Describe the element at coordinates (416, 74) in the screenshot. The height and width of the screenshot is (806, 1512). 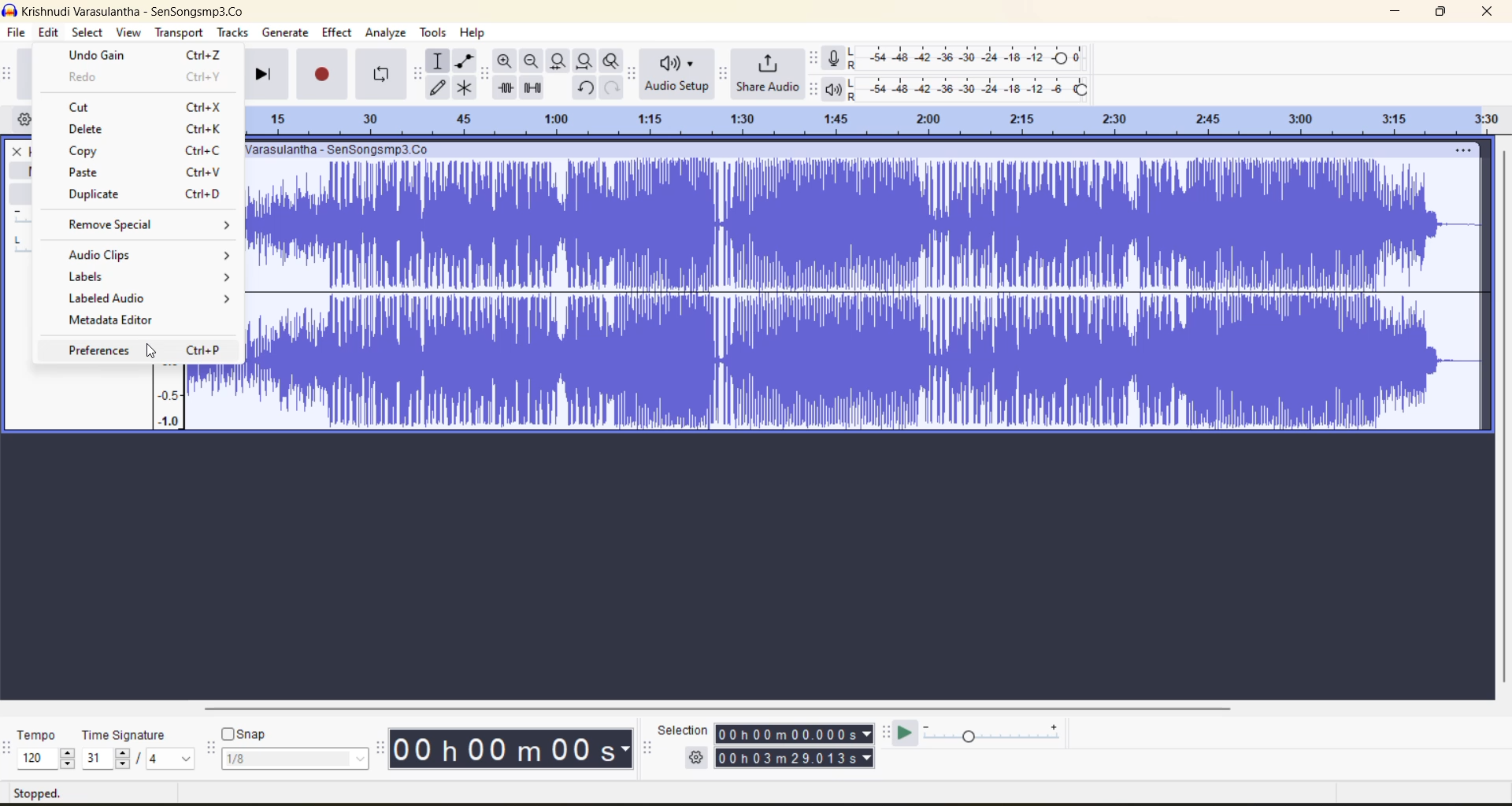
I see `tools toolbar` at that location.